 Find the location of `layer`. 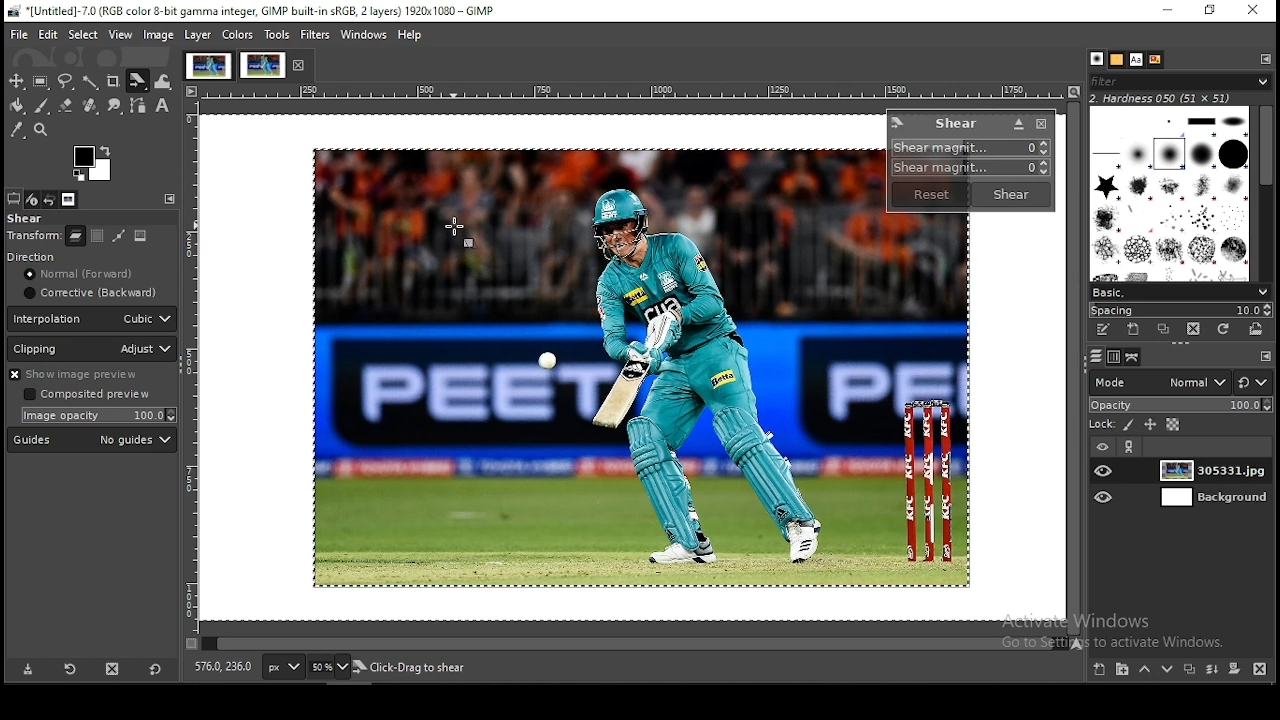

layer is located at coordinates (76, 236).